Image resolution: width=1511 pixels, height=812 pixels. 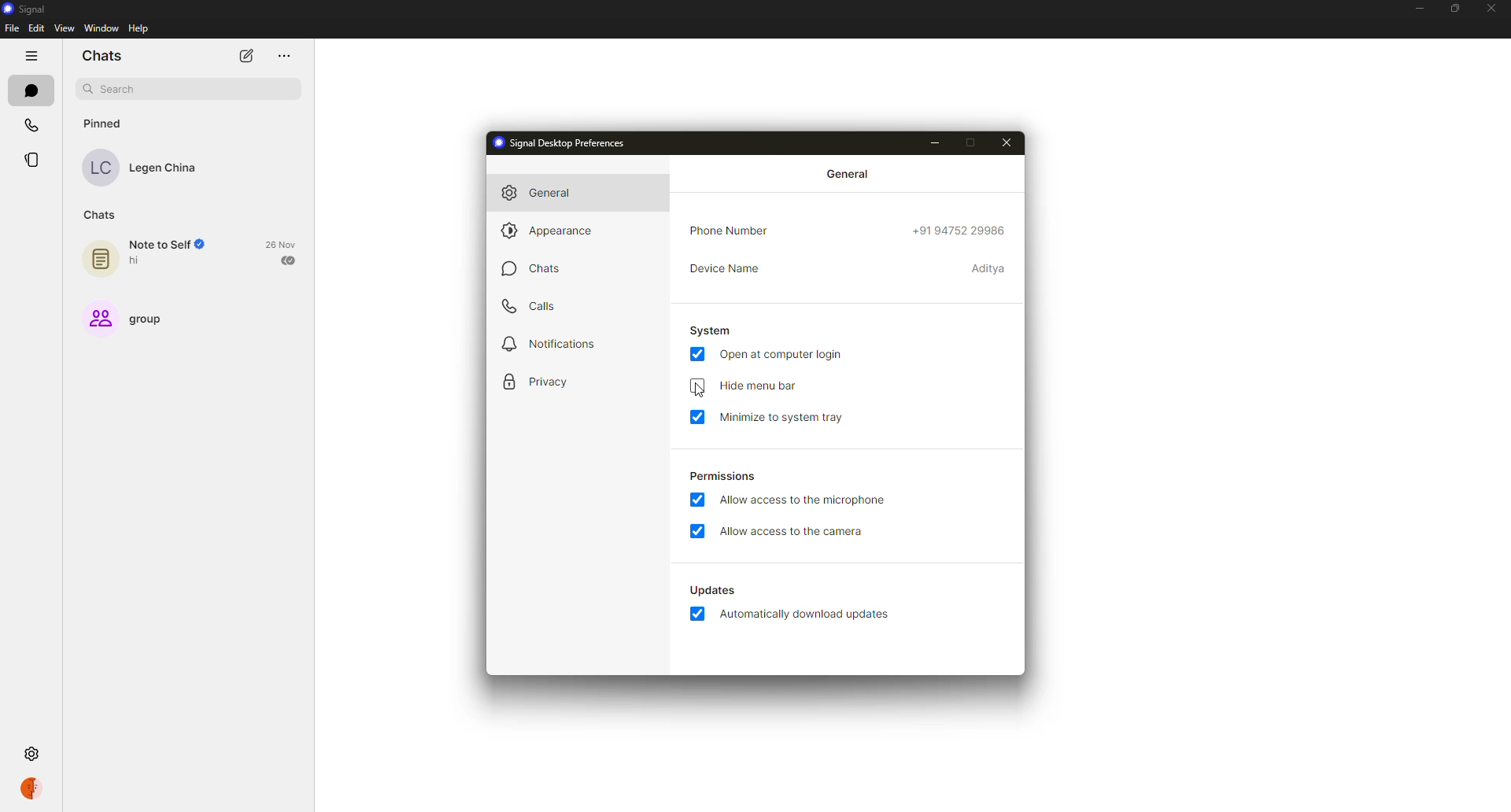 What do you see at coordinates (139, 28) in the screenshot?
I see `help` at bounding box center [139, 28].